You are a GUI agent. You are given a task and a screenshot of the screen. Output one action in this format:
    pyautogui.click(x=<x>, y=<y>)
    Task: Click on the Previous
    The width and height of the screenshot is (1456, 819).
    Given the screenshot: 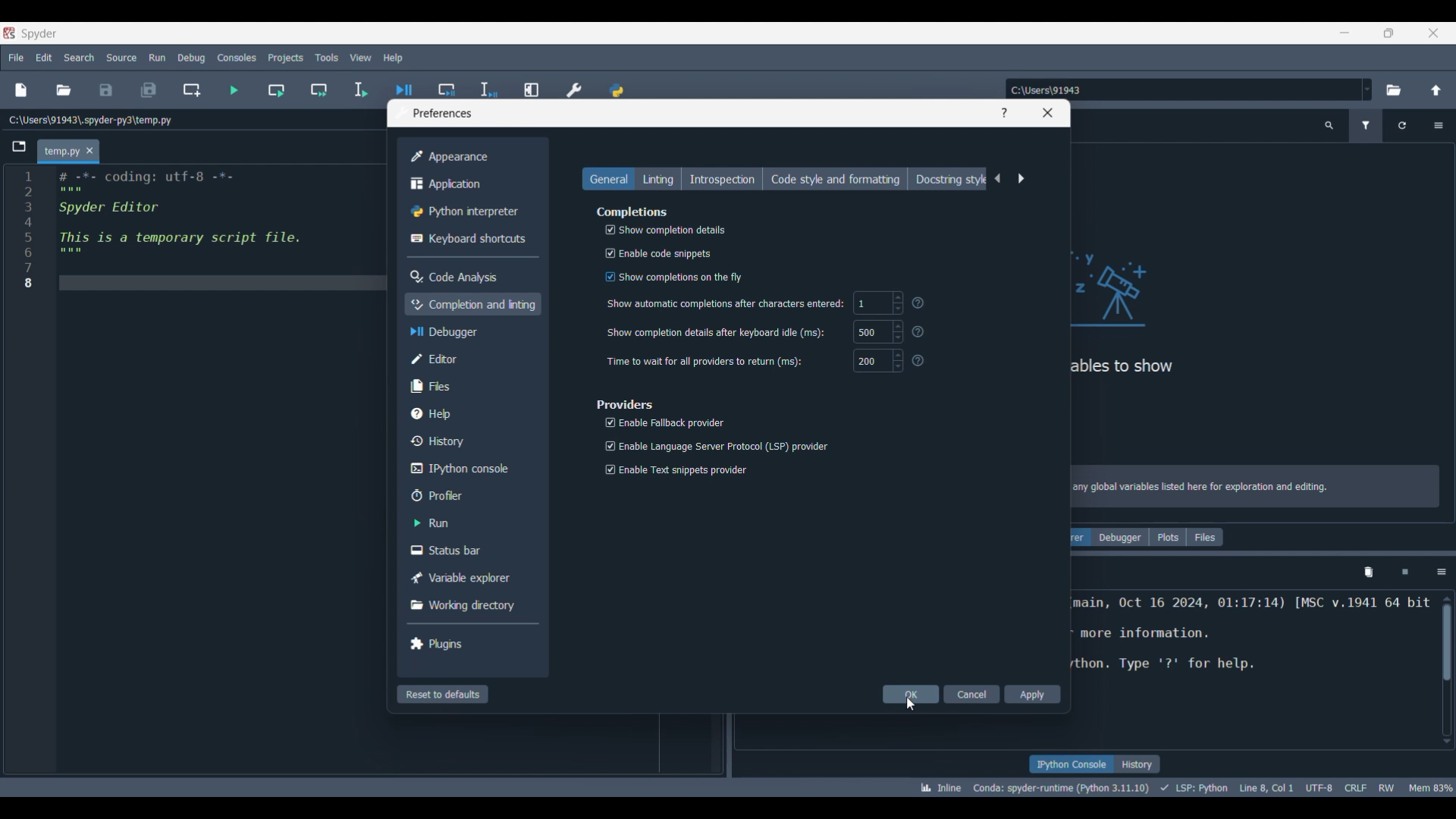 What is the action you would take?
    pyautogui.click(x=998, y=178)
    